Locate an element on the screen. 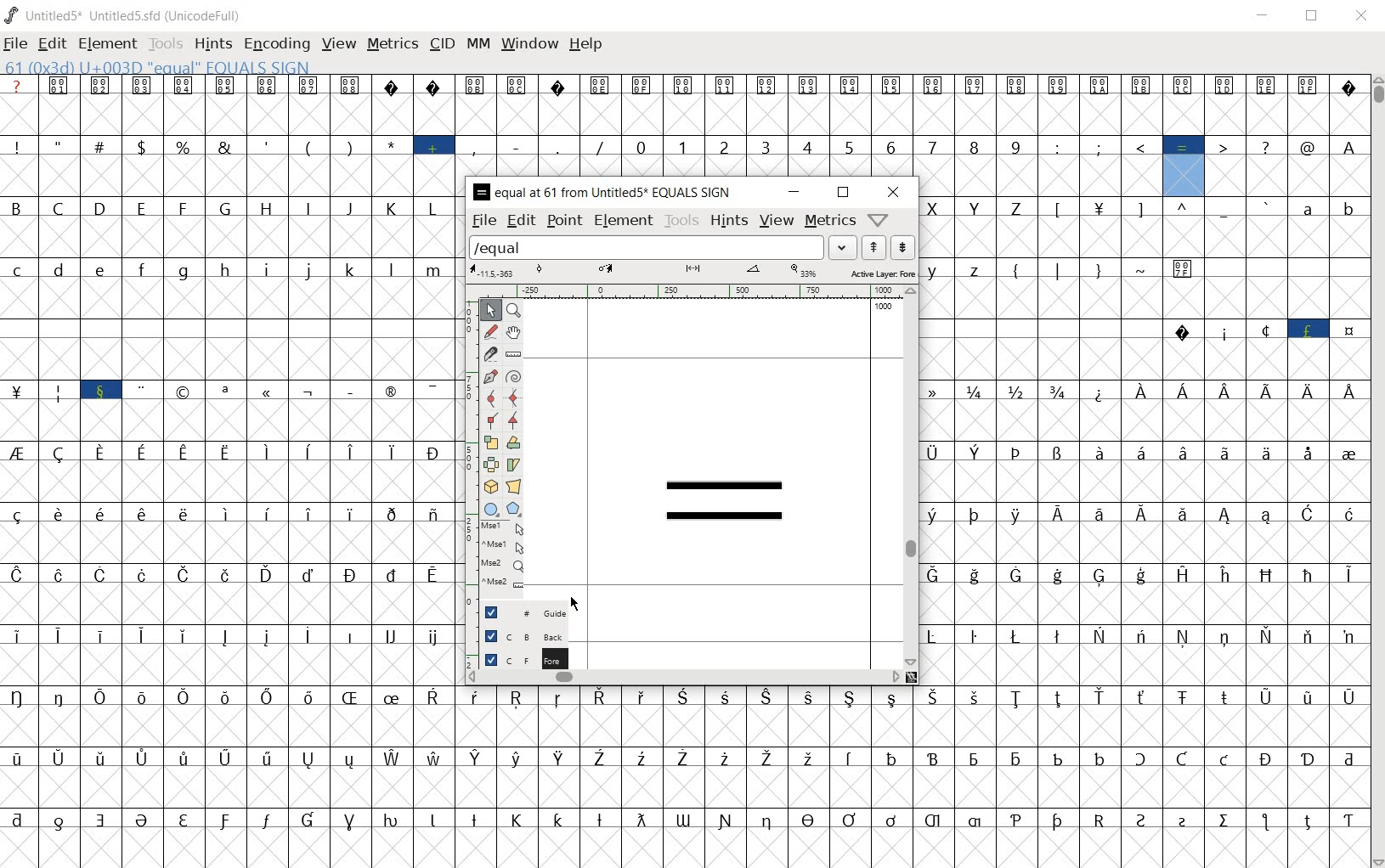 The image size is (1385, 868). restore down is located at coordinates (1310, 17).